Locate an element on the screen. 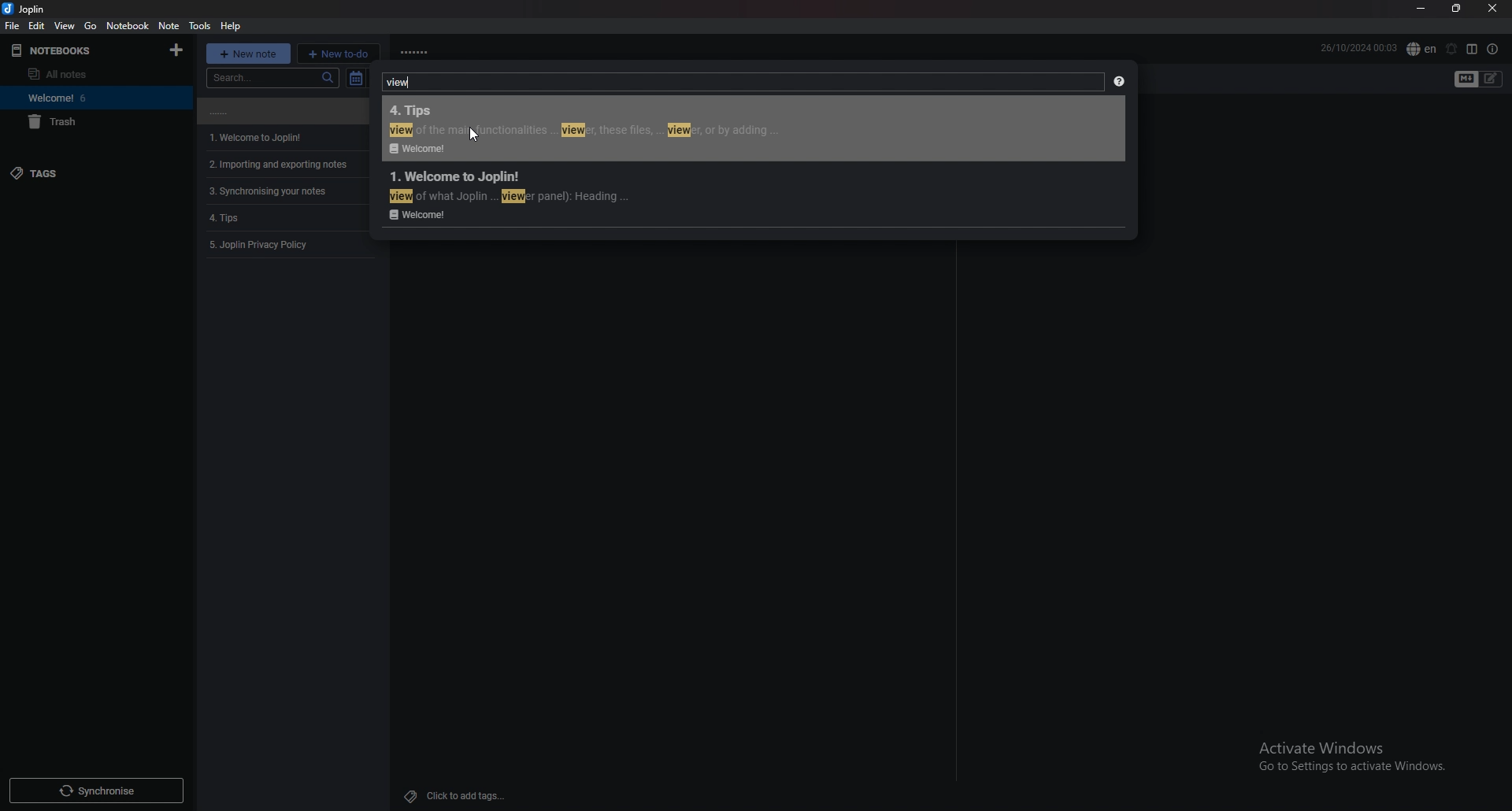 The width and height of the screenshot is (1512, 811). note name is located at coordinates (436, 50).